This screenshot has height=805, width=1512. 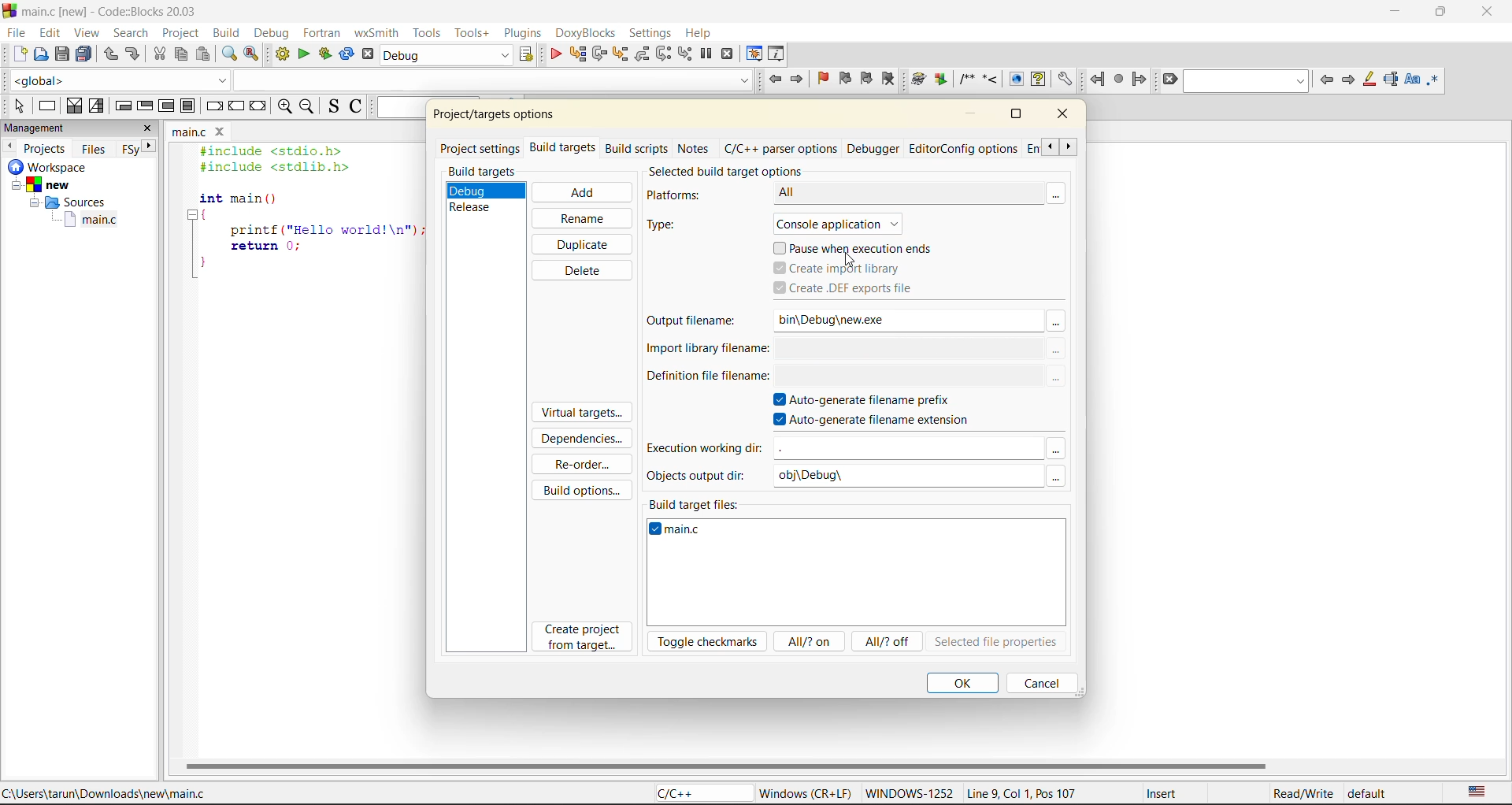 I want to click on previous, so click(x=9, y=146).